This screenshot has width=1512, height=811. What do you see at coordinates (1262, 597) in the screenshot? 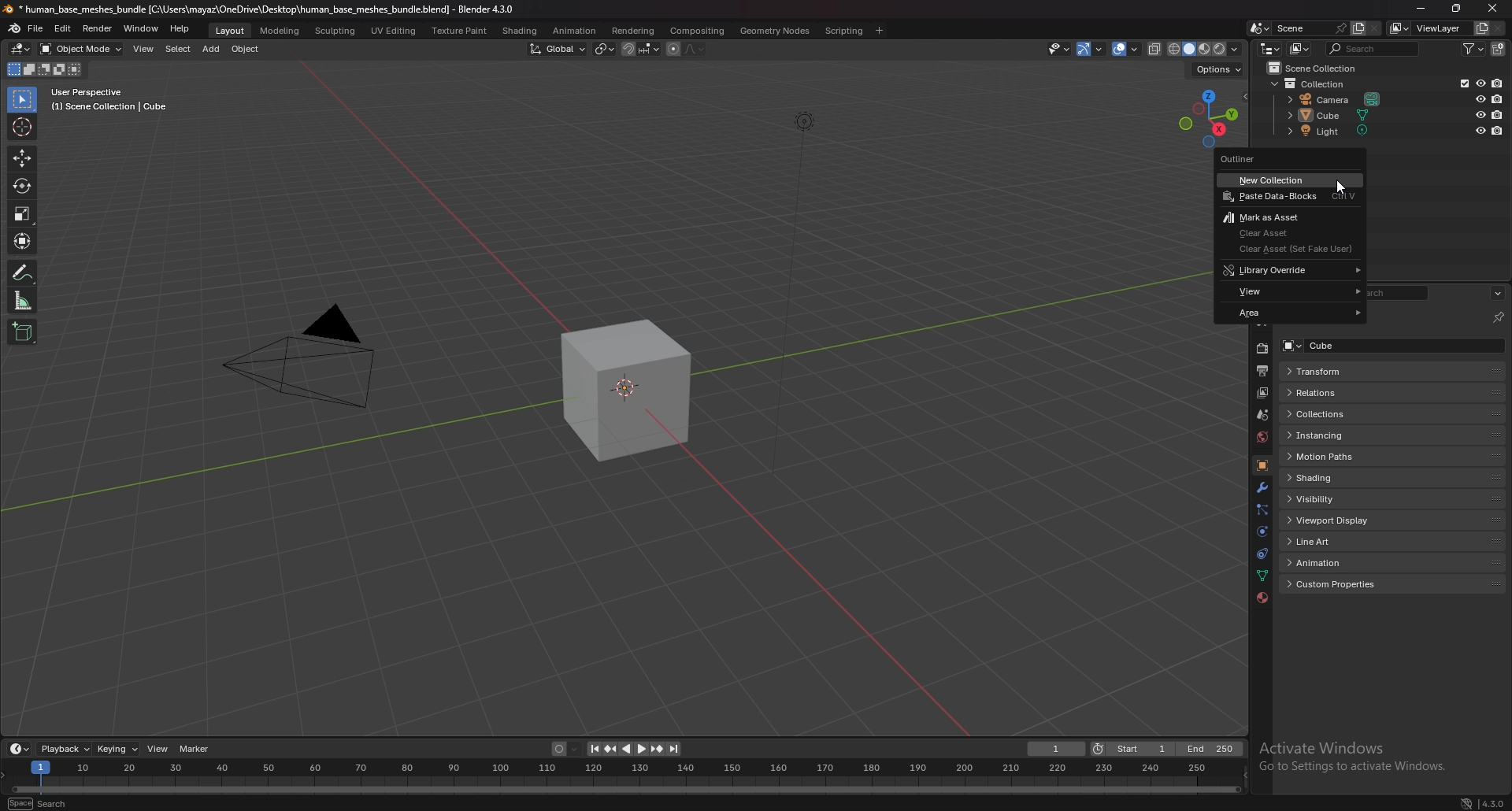
I see `material` at bounding box center [1262, 597].